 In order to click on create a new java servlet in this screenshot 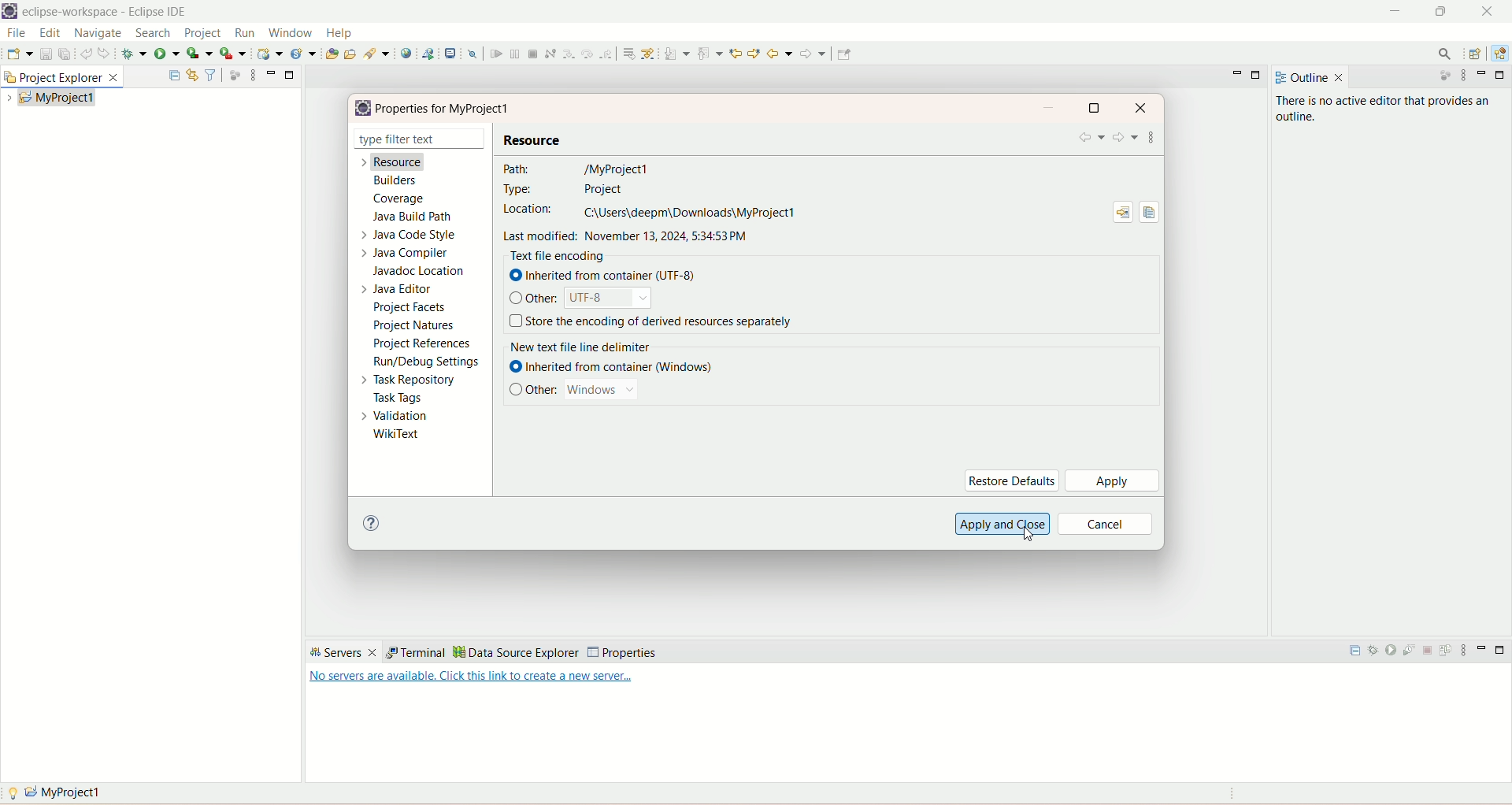, I will do `click(303, 54)`.